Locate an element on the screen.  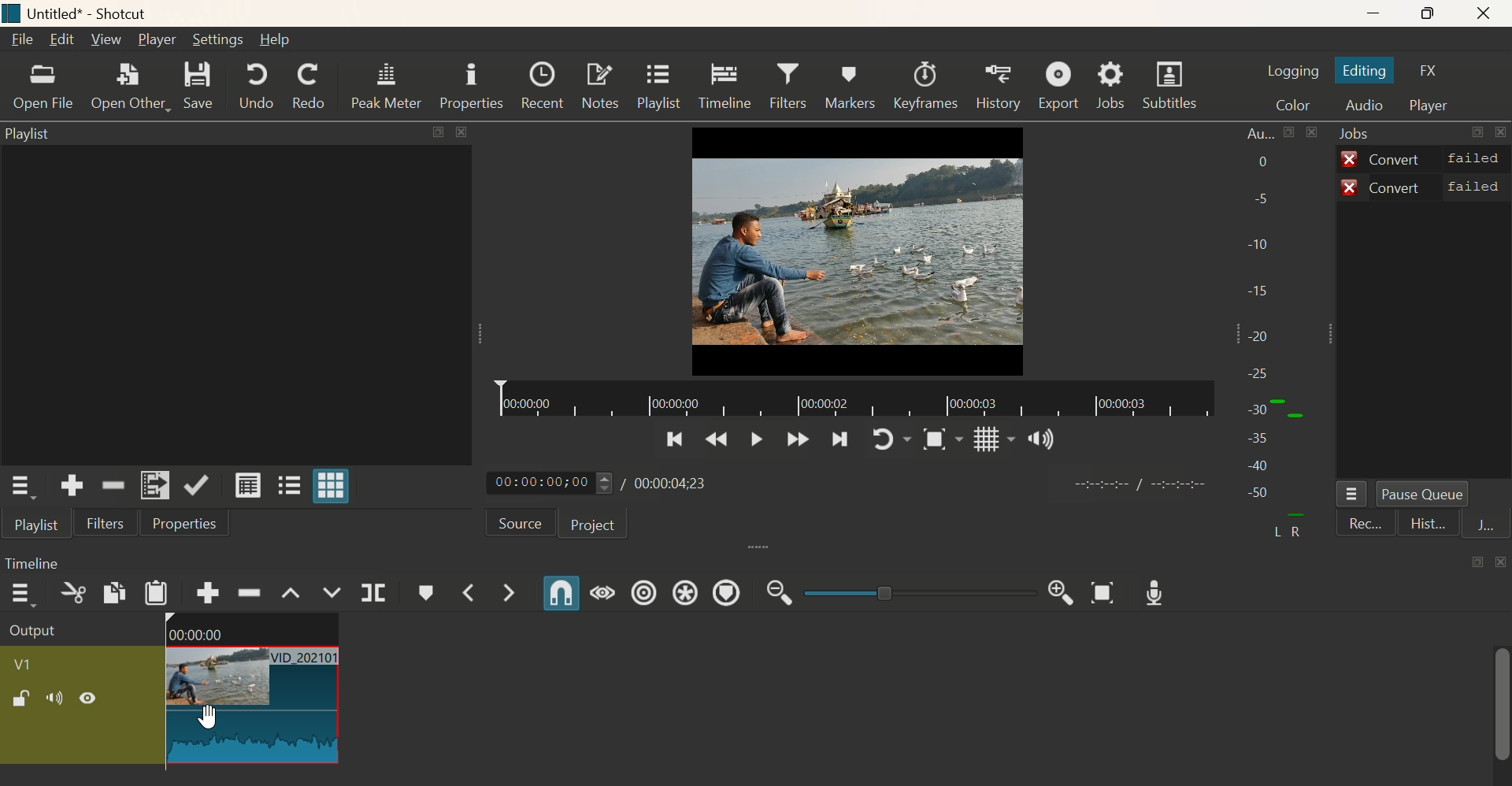
close is located at coordinates (1499, 562).